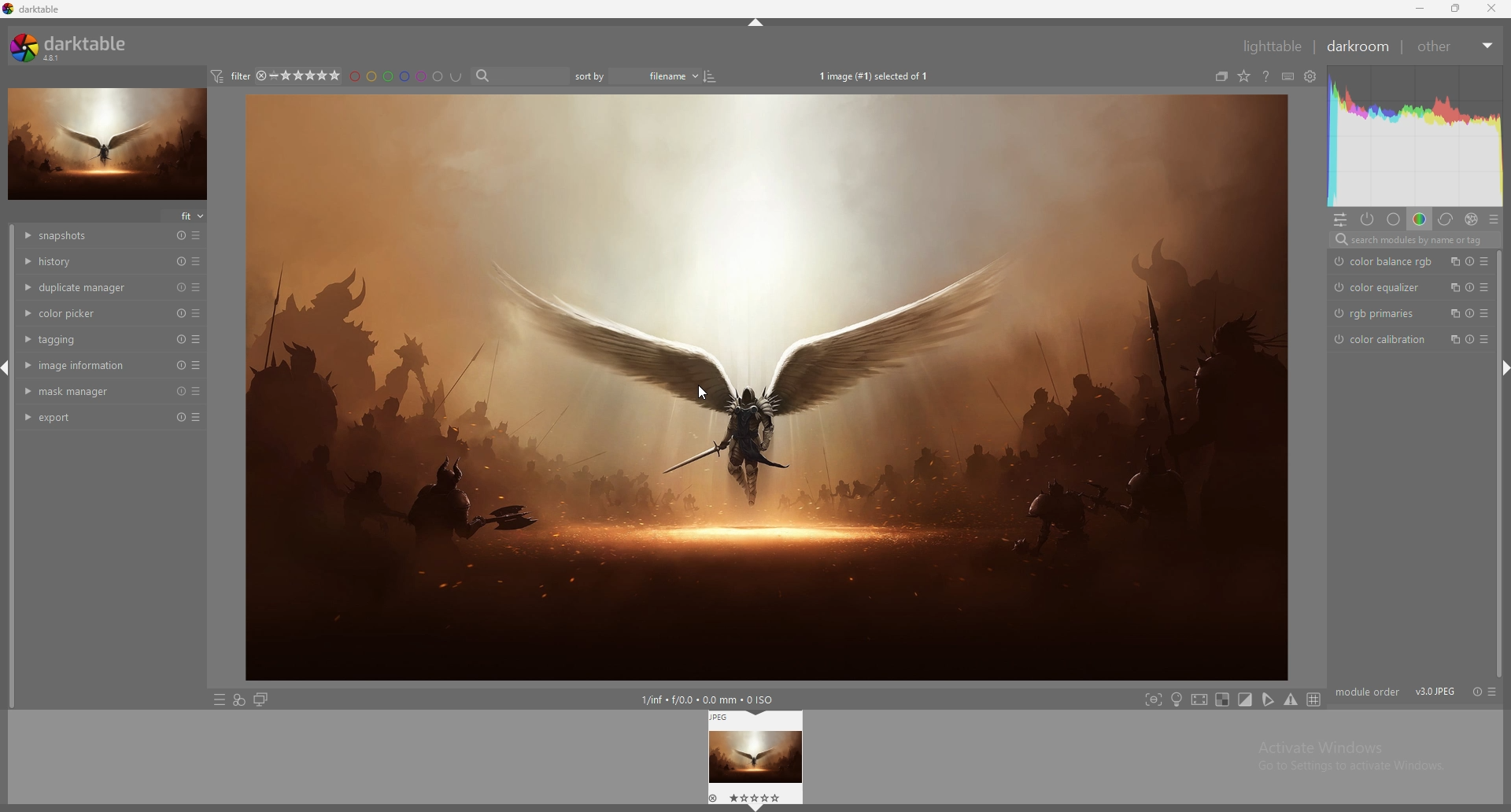 This screenshot has height=812, width=1511. I want to click on preset, so click(198, 288).